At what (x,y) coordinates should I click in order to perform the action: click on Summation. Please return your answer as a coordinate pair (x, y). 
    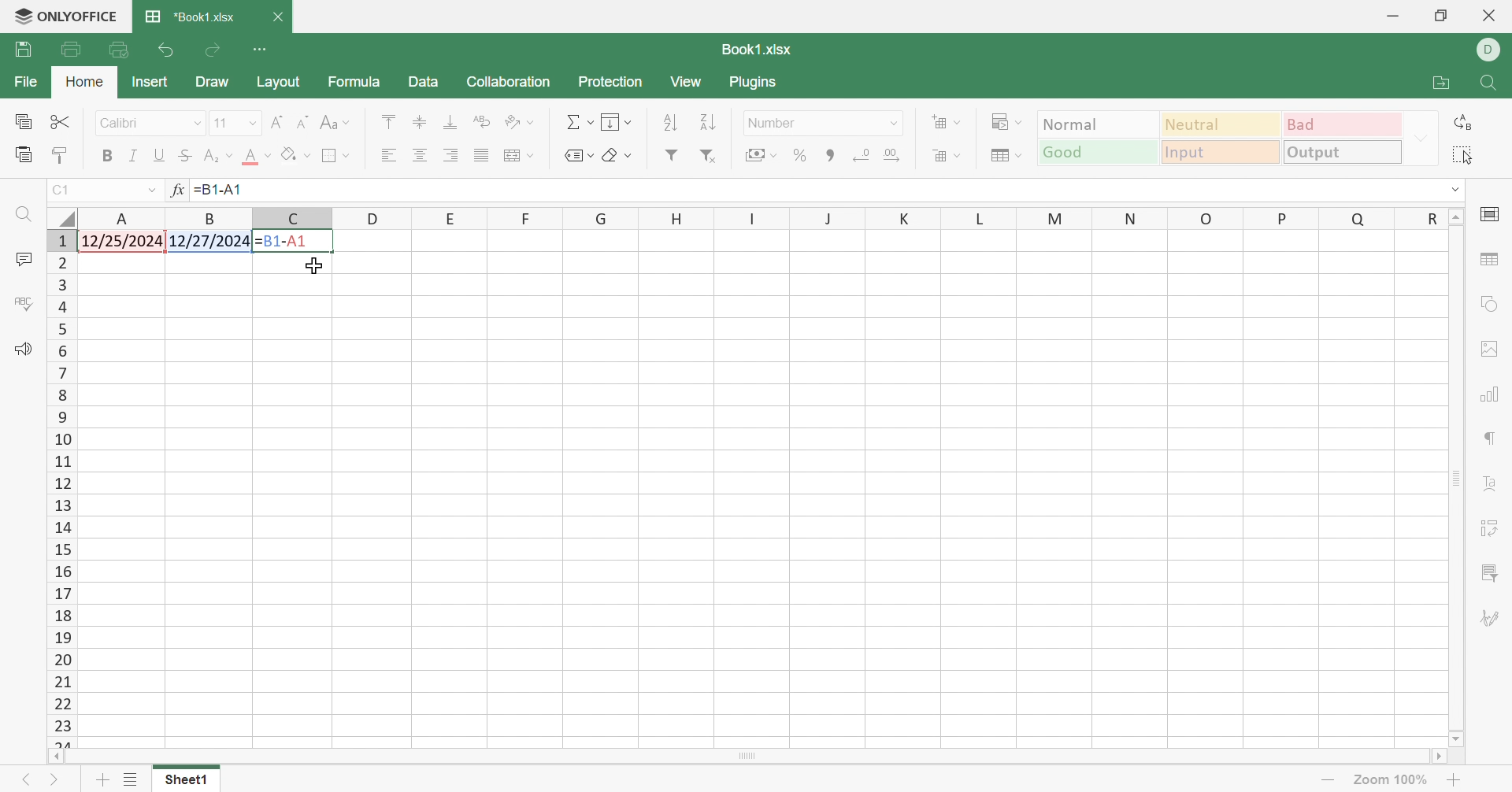
    Looking at the image, I should click on (578, 120).